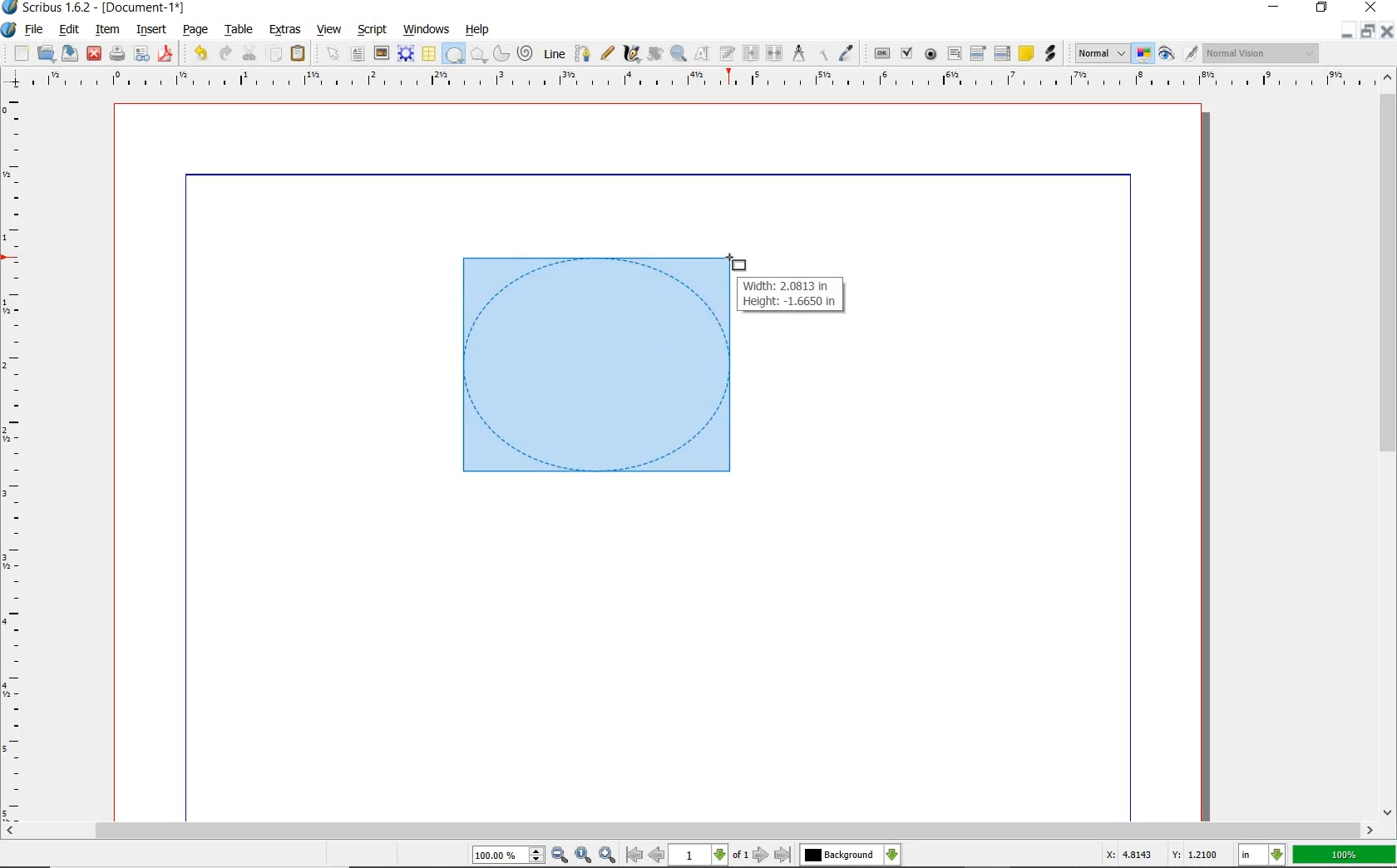 The height and width of the screenshot is (868, 1397). I want to click on FILE, so click(36, 29).